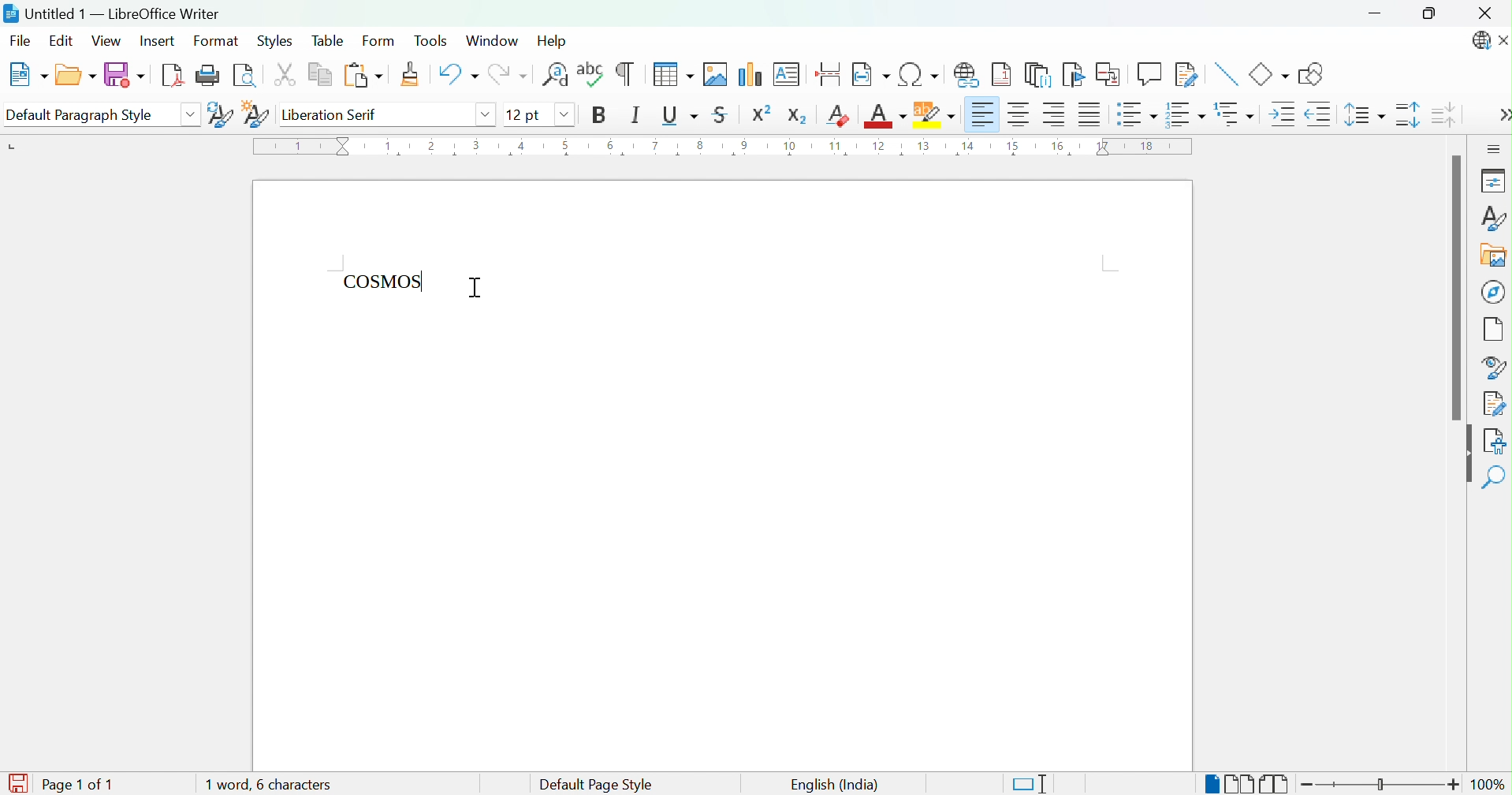  What do you see at coordinates (635, 114) in the screenshot?
I see `Italic` at bounding box center [635, 114].